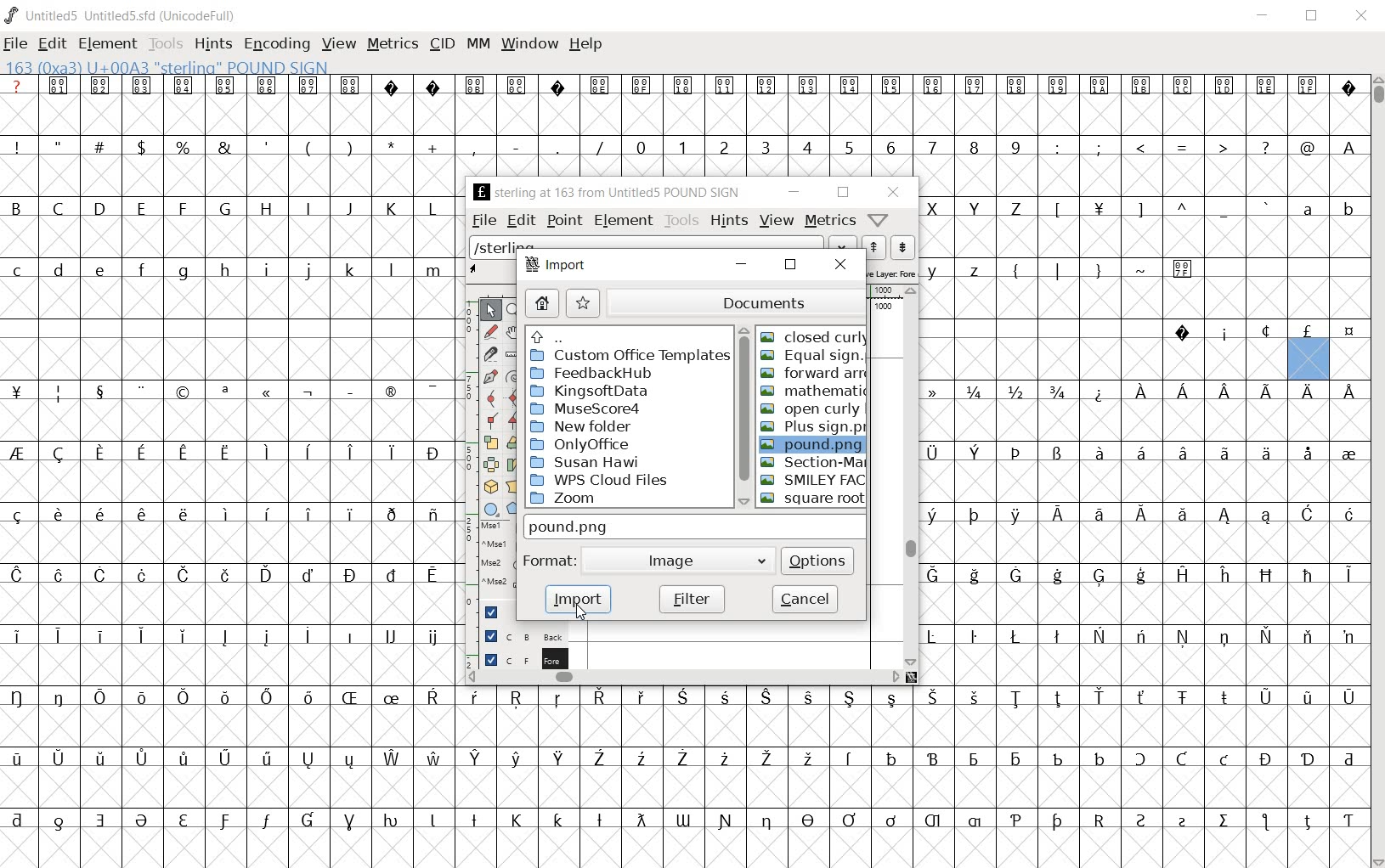 This screenshot has height=868, width=1385. Describe the element at coordinates (604, 192) in the screenshot. I see `glyph name` at that location.